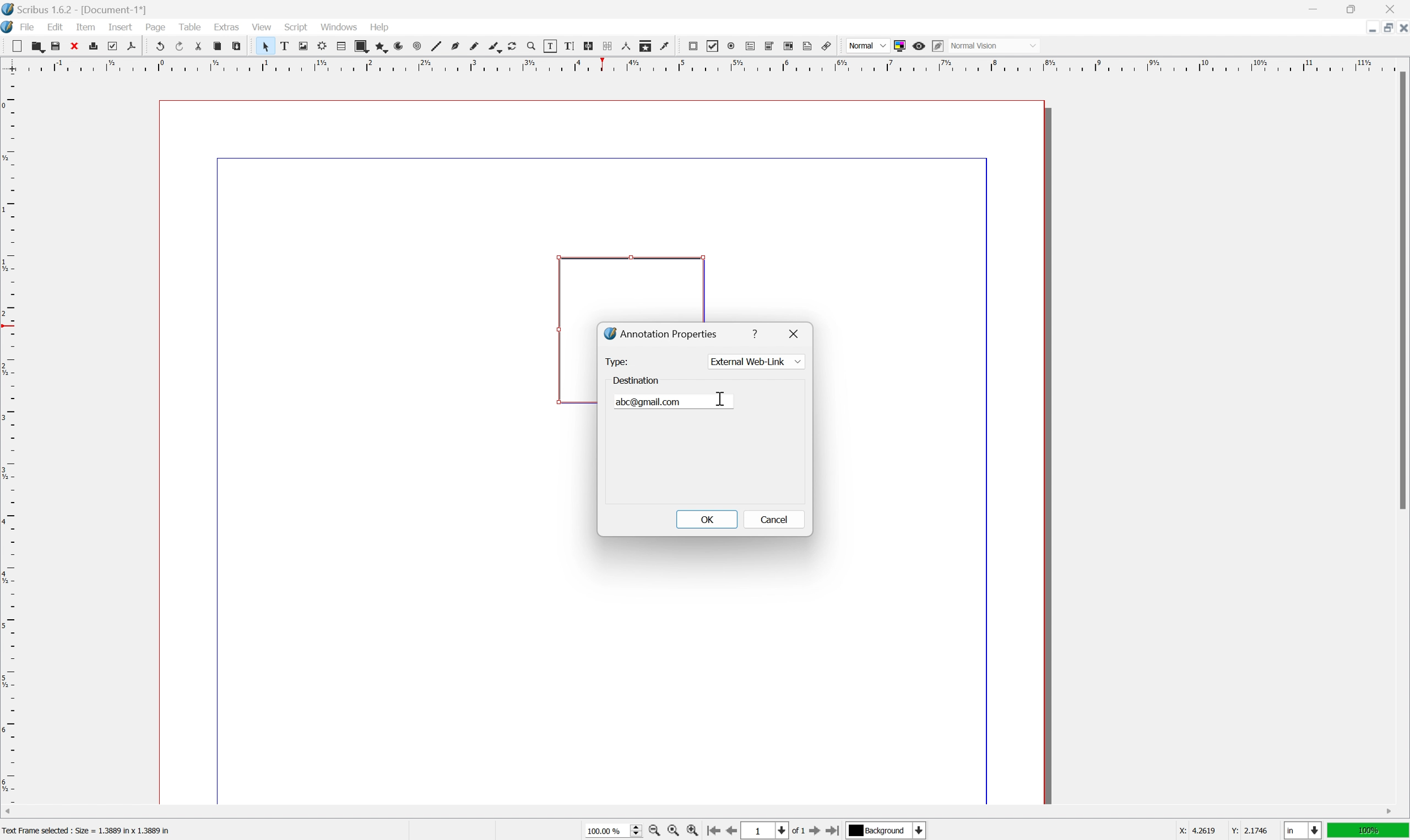 Image resolution: width=1410 pixels, height=840 pixels. I want to click on Text frame selected : size = 1.3889 in × 1.3889 in, so click(88, 829).